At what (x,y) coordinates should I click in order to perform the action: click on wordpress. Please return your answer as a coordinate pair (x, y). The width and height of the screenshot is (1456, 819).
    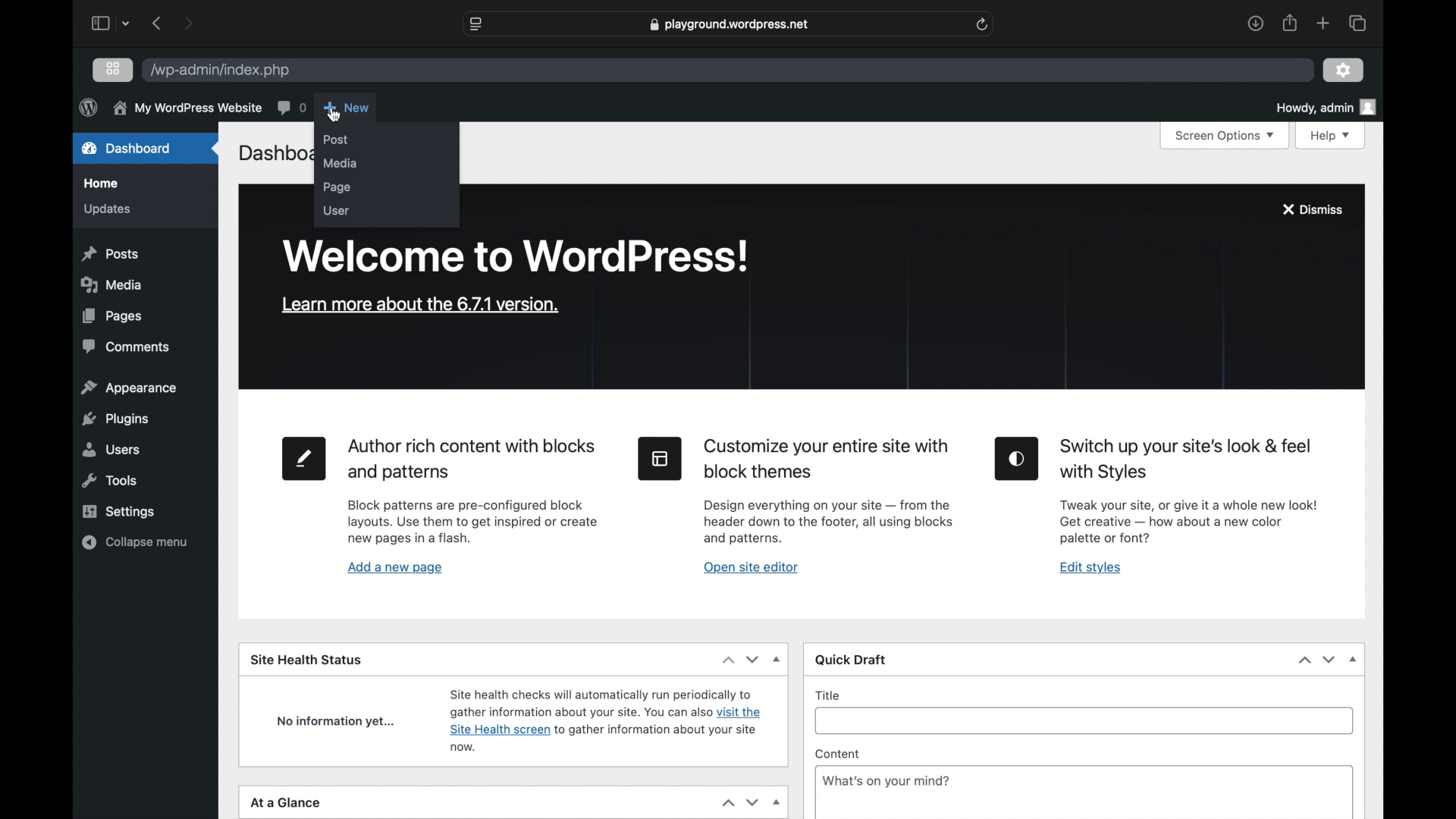
    Looking at the image, I should click on (88, 108).